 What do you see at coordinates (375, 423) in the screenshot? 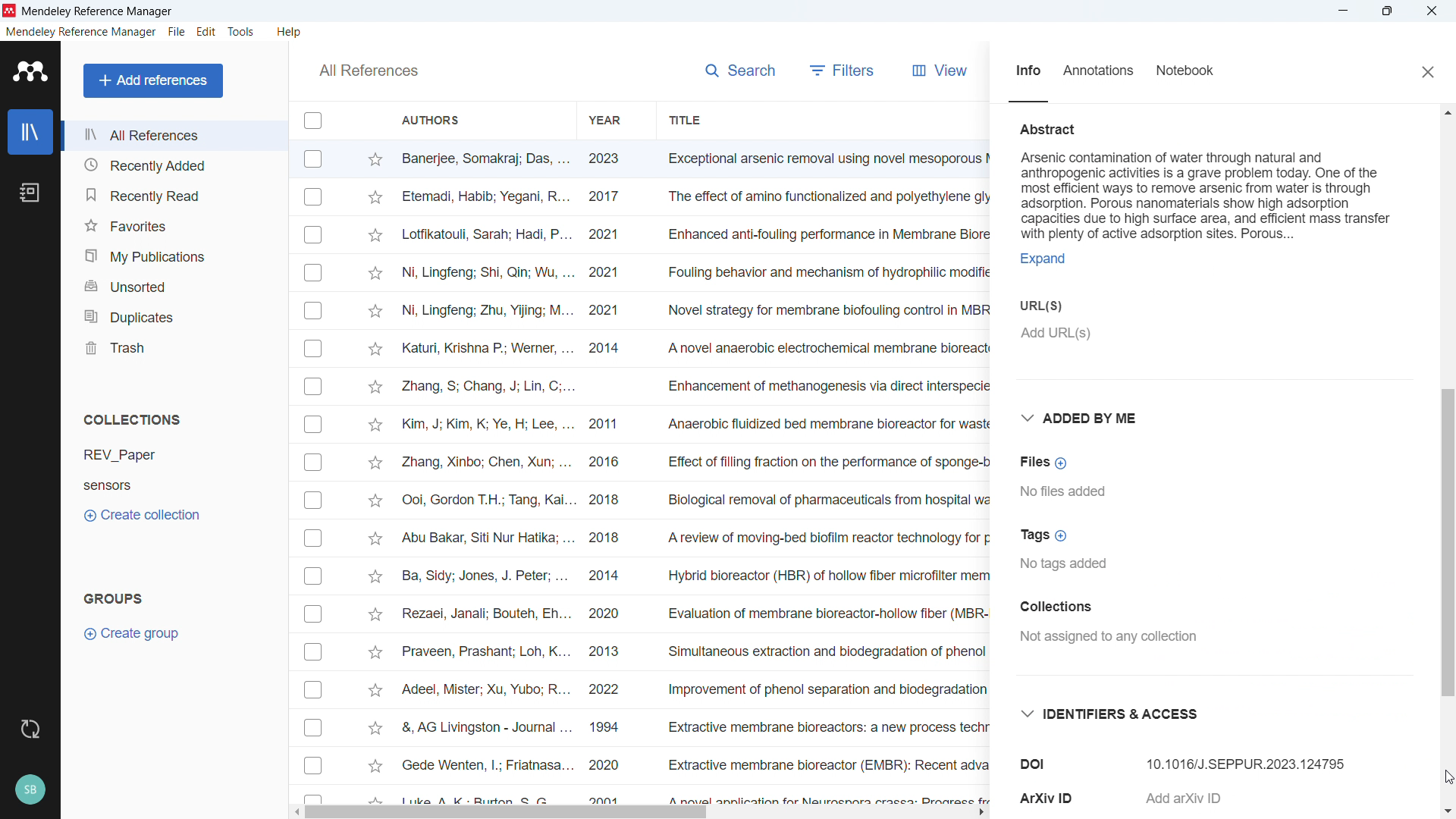
I see `click to starmark individual entries` at bounding box center [375, 423].